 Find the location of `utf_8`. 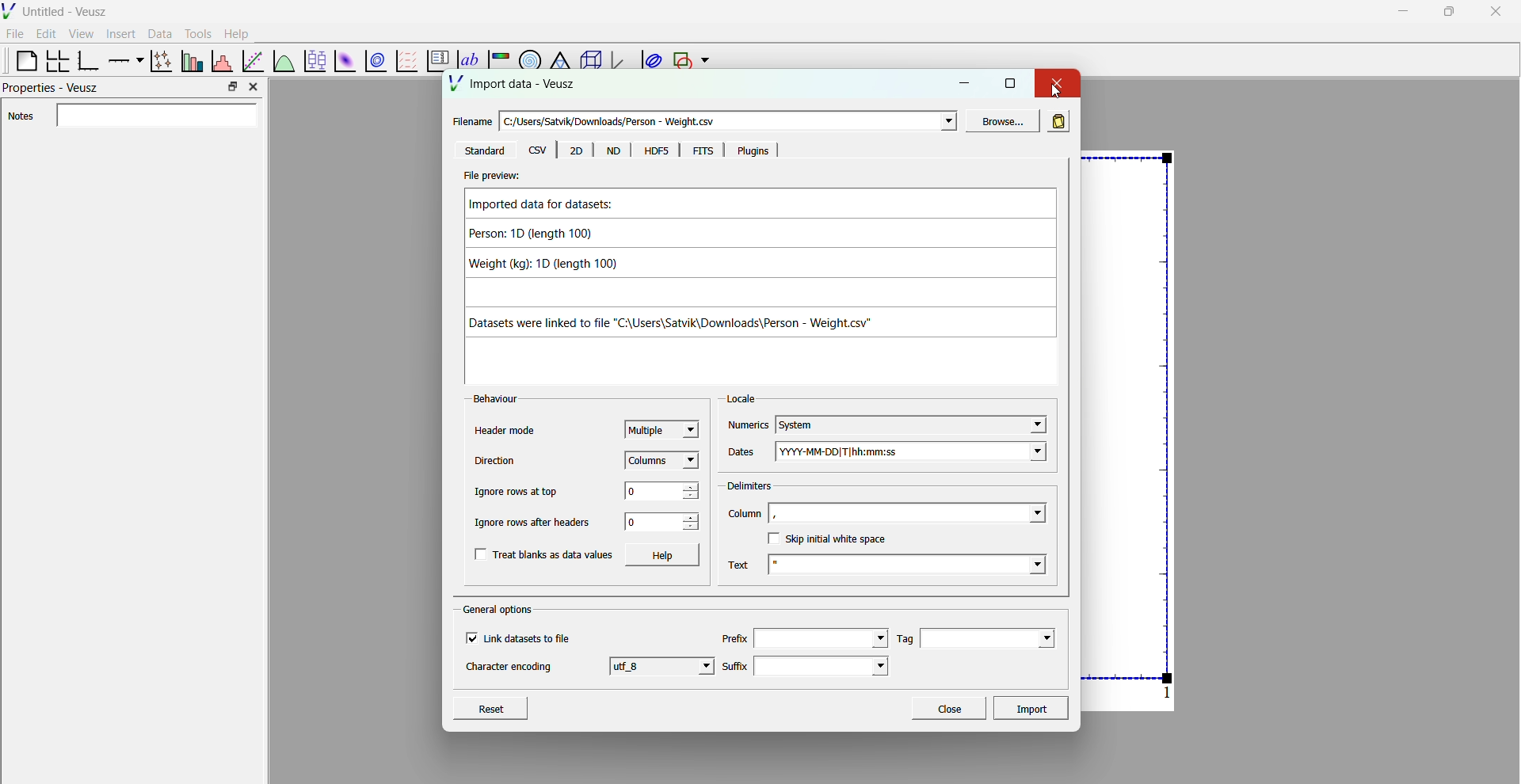

utf_8 is located at coordinates (663, 665).